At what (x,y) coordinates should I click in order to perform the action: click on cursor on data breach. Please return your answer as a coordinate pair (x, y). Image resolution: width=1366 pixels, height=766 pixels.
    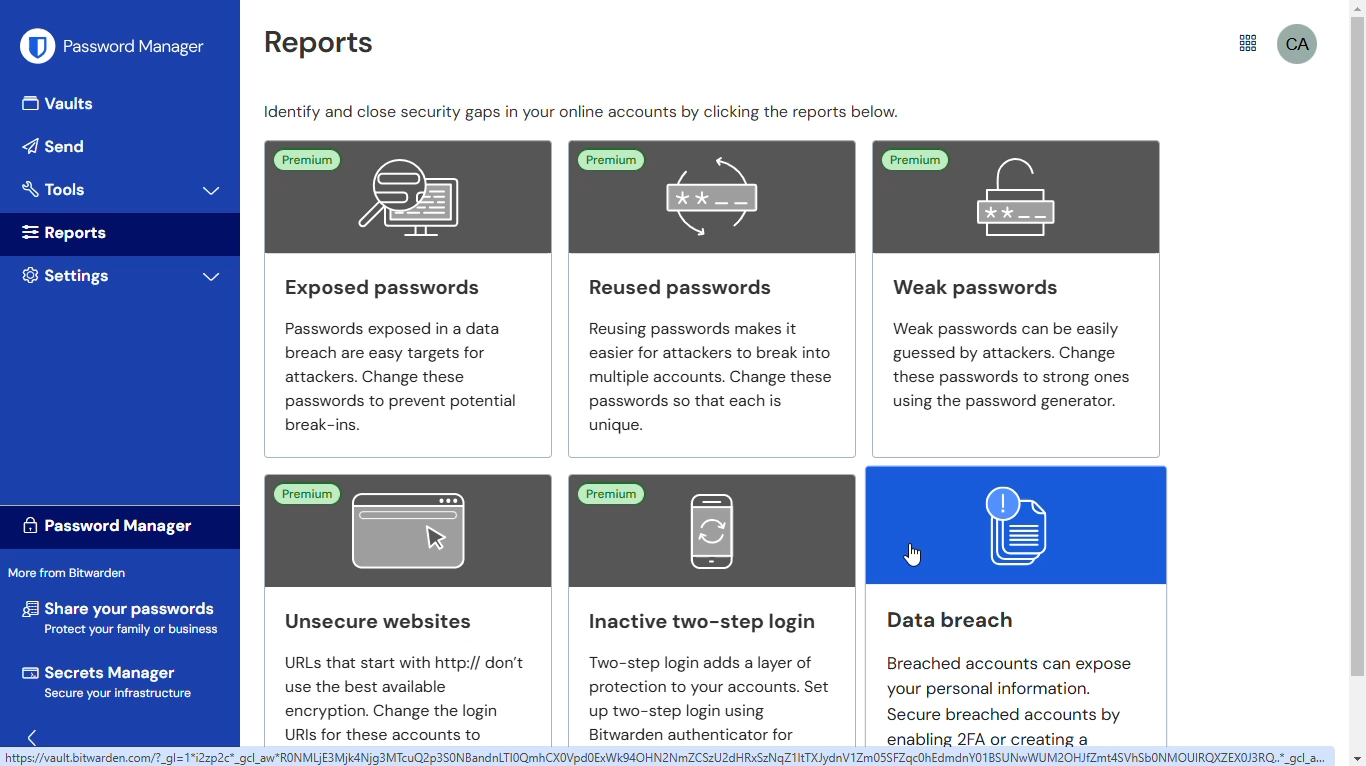
    Looking at the image, I should click on (913, 554).